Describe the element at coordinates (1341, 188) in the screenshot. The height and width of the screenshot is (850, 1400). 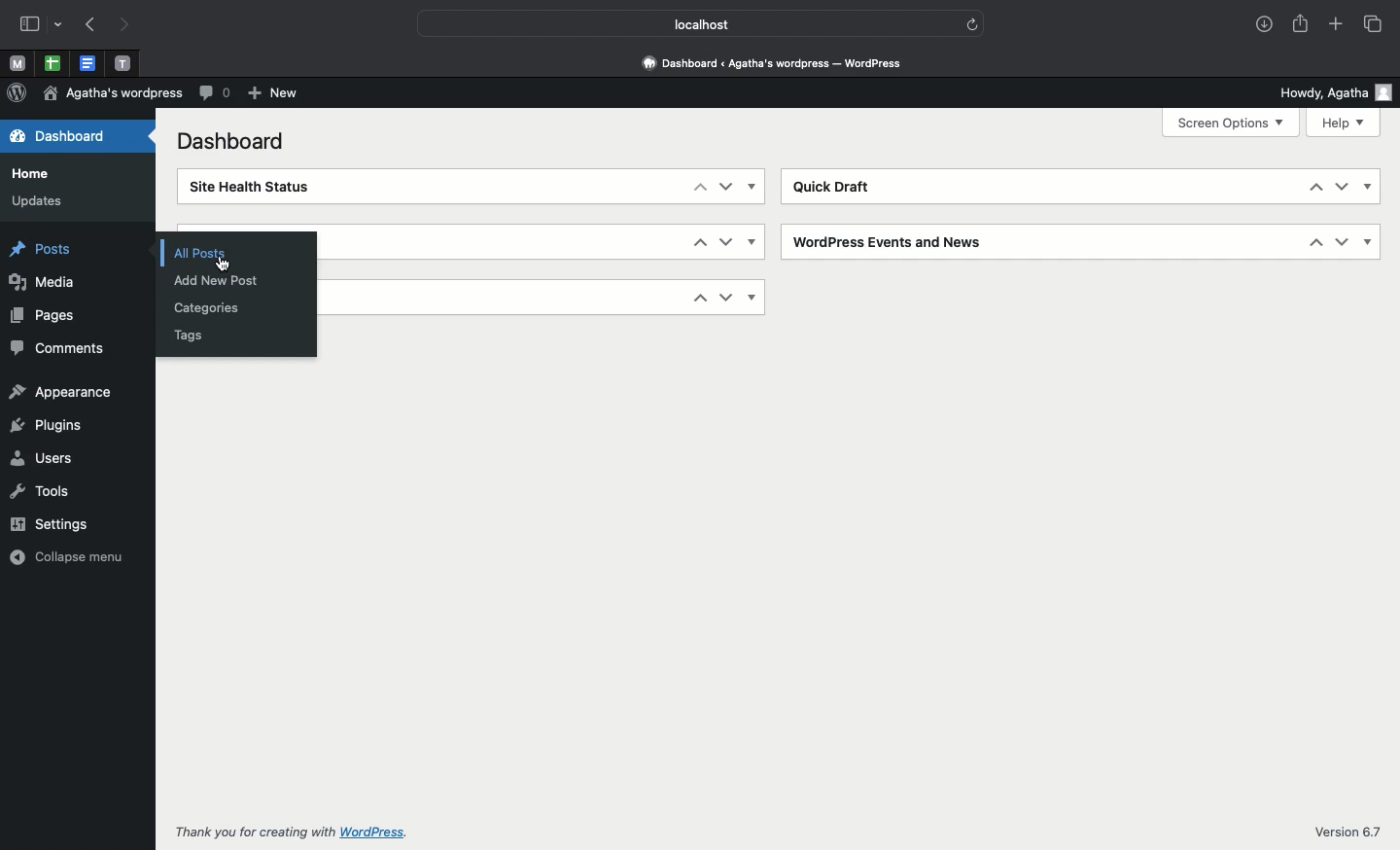
I see `` at that location.